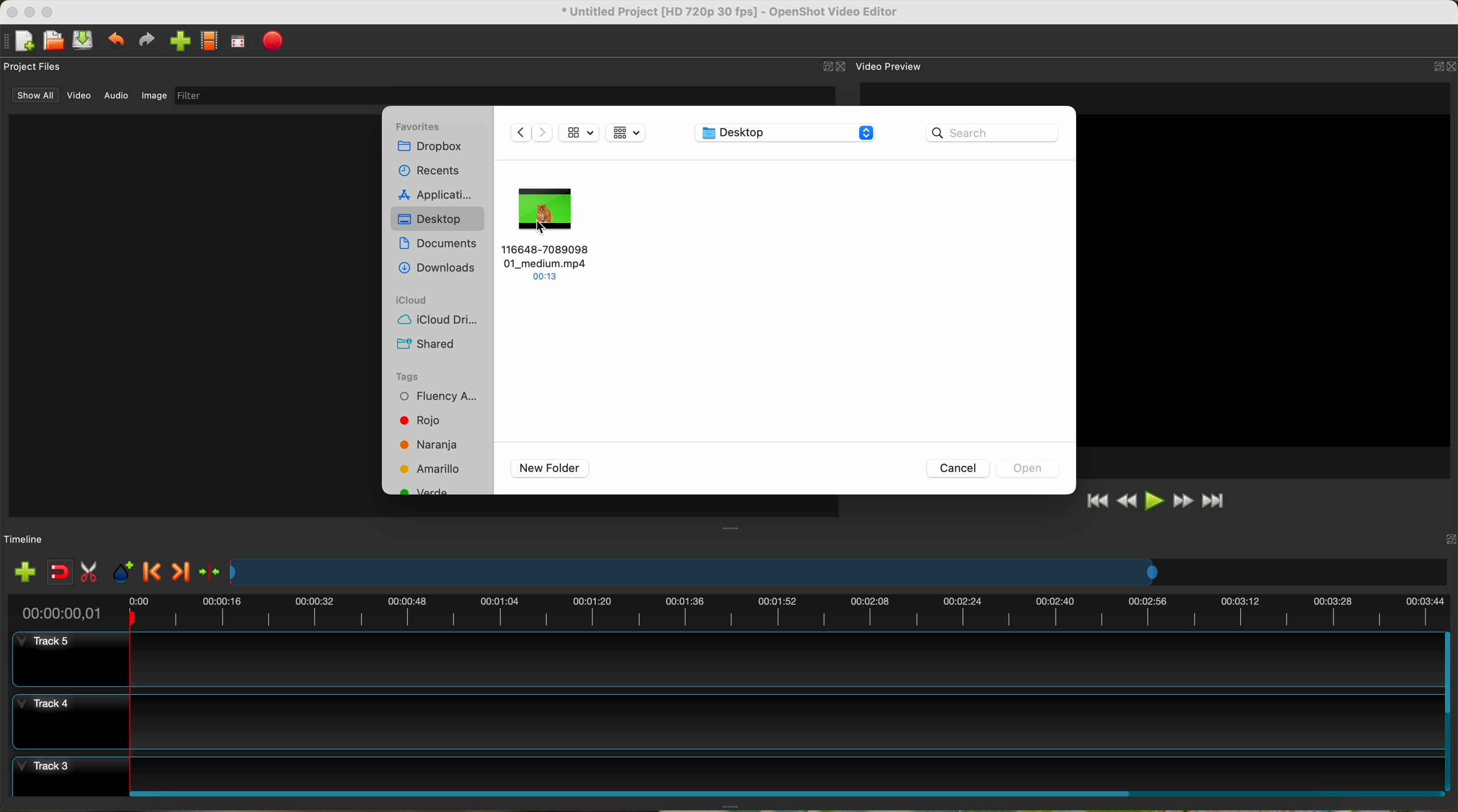 The width and height of the screenshot is (1458, 812). What do you see at coordinates (1265, 280) in the screenshot?
I see `workspace` at bounding box center [1265, 280].